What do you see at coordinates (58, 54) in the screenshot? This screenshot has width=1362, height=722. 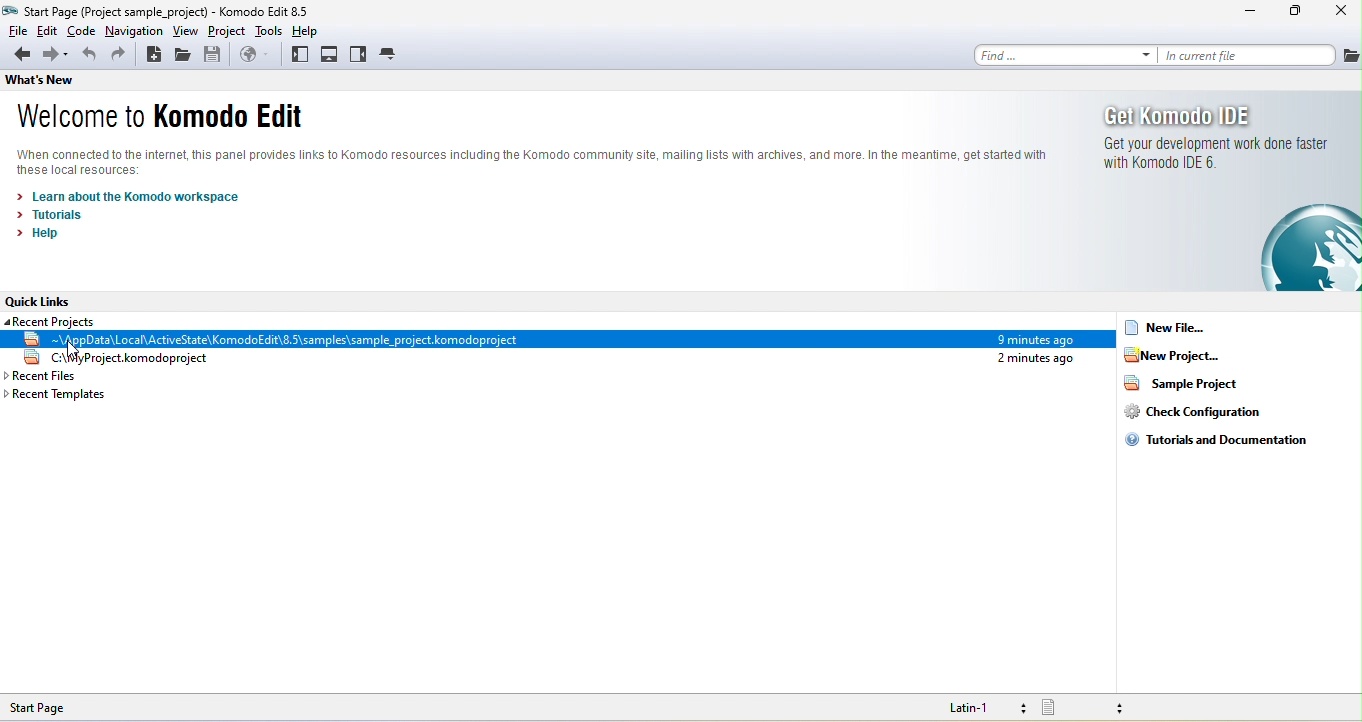 I see `forward` at bounding box center [58, 54].